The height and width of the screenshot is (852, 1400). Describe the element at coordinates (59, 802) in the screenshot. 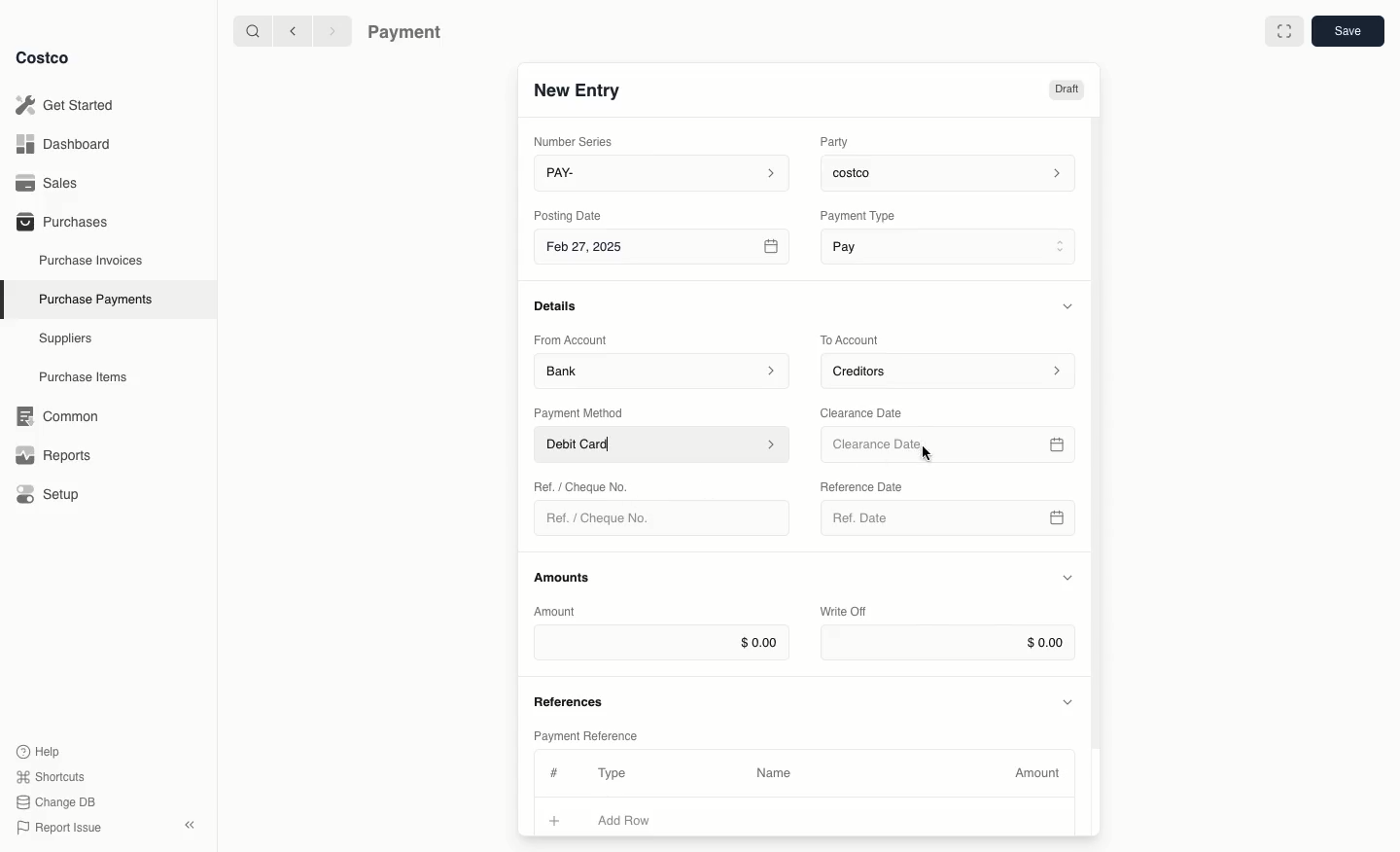

I see `Change DB` at that location.